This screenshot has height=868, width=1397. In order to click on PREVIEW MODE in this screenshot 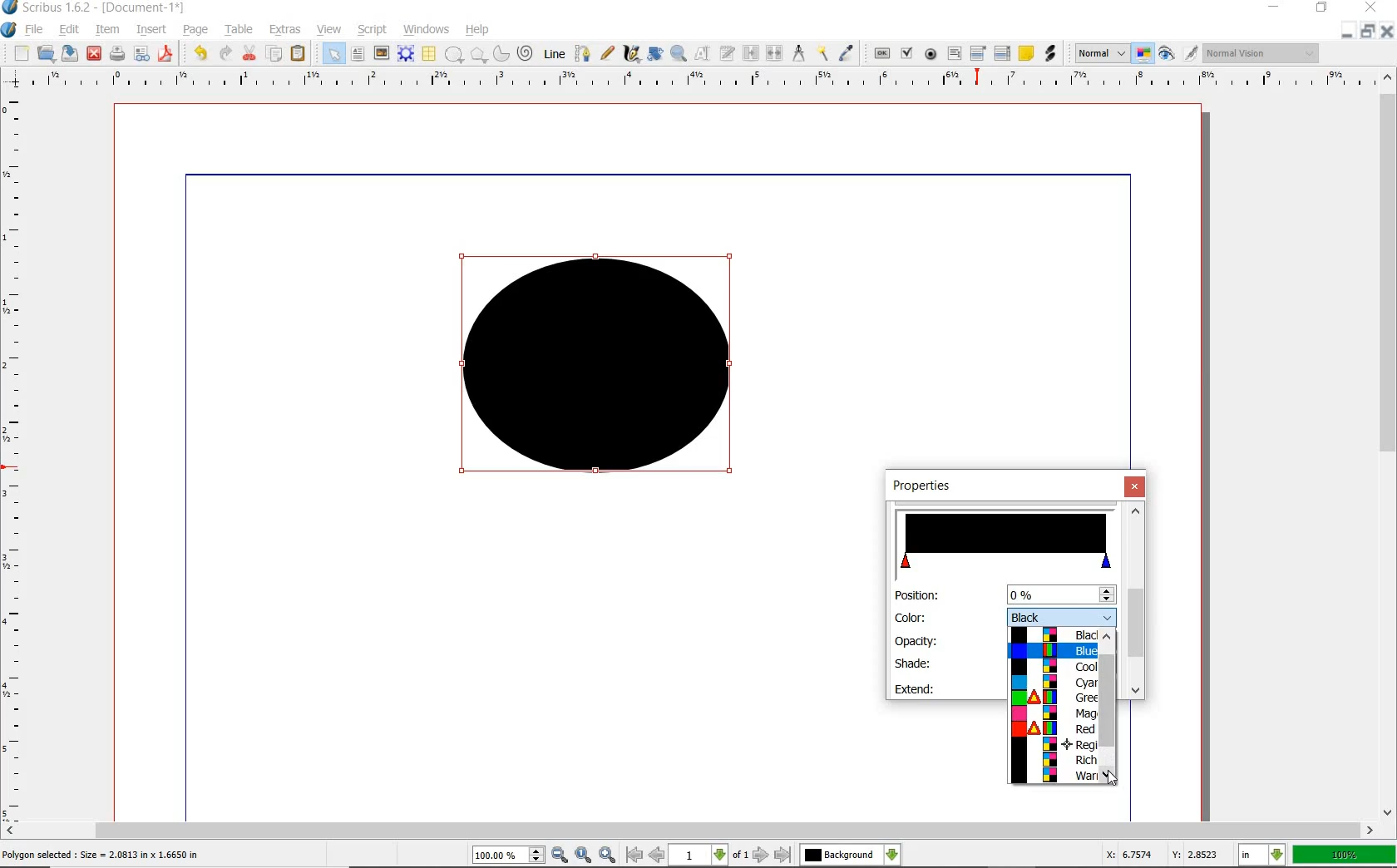, I will do `click(1165, 54)`.